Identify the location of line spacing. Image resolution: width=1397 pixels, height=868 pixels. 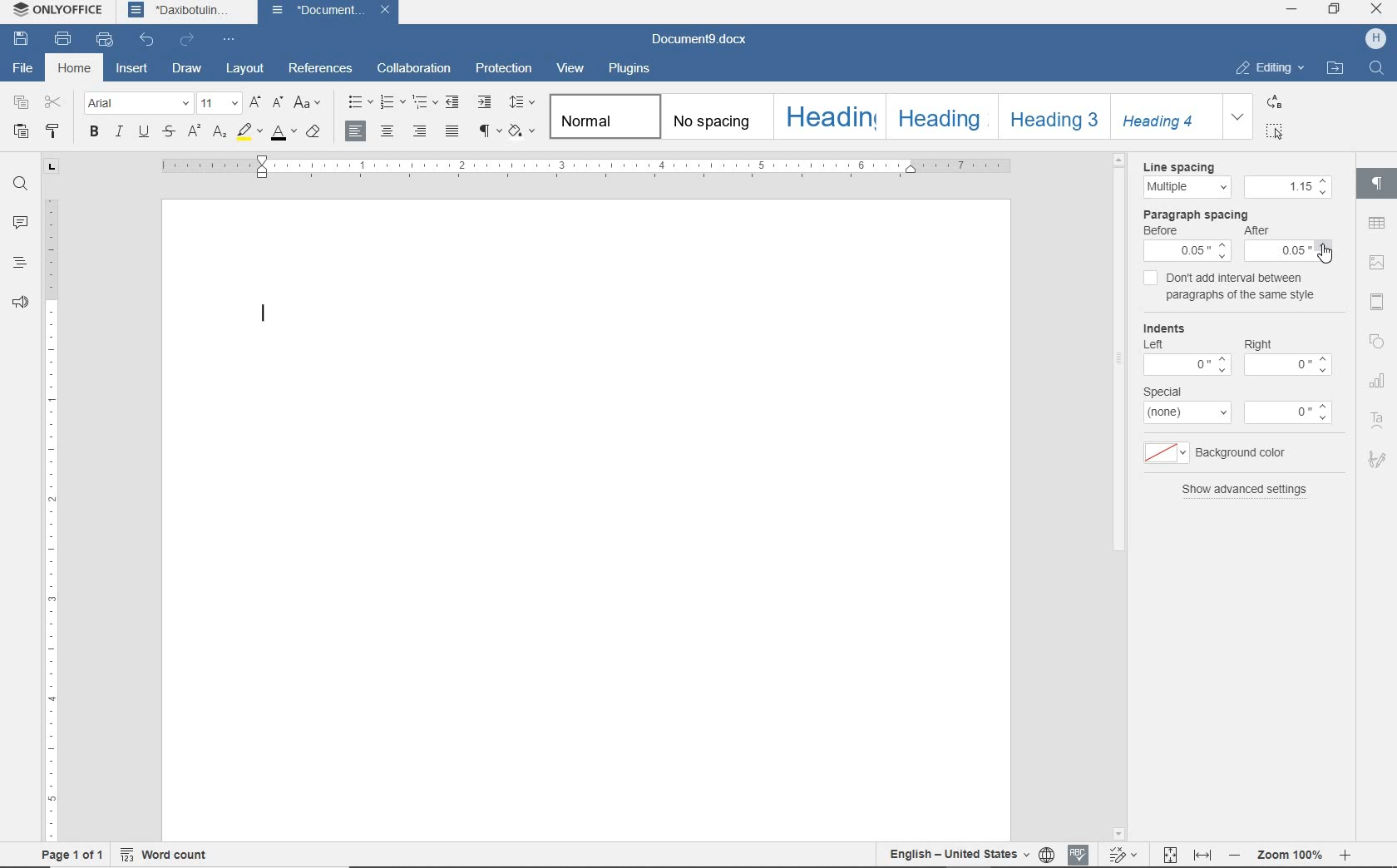
(1187, 187).